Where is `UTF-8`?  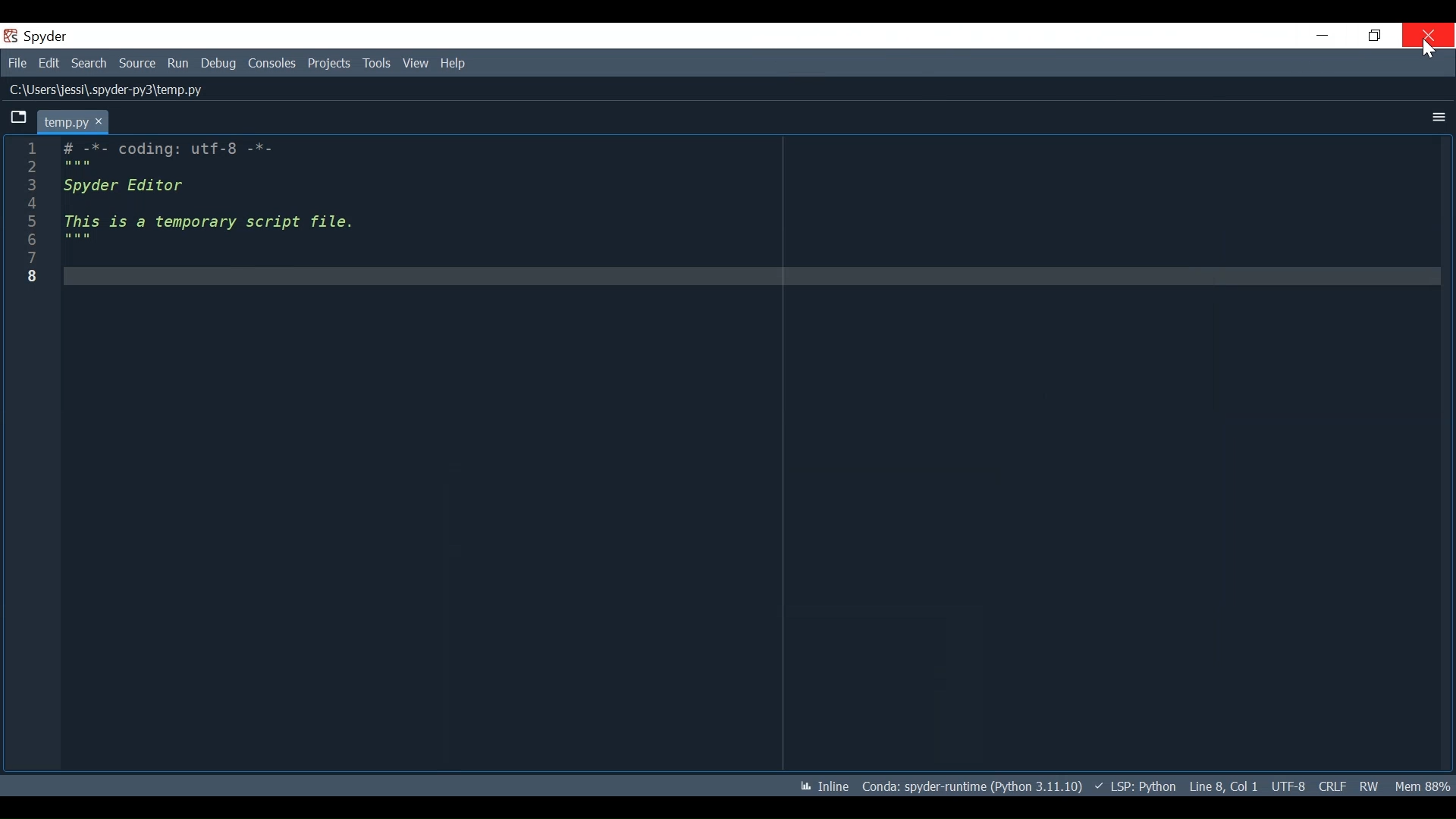 UTF-8 is located at coordinates (1288, 785).